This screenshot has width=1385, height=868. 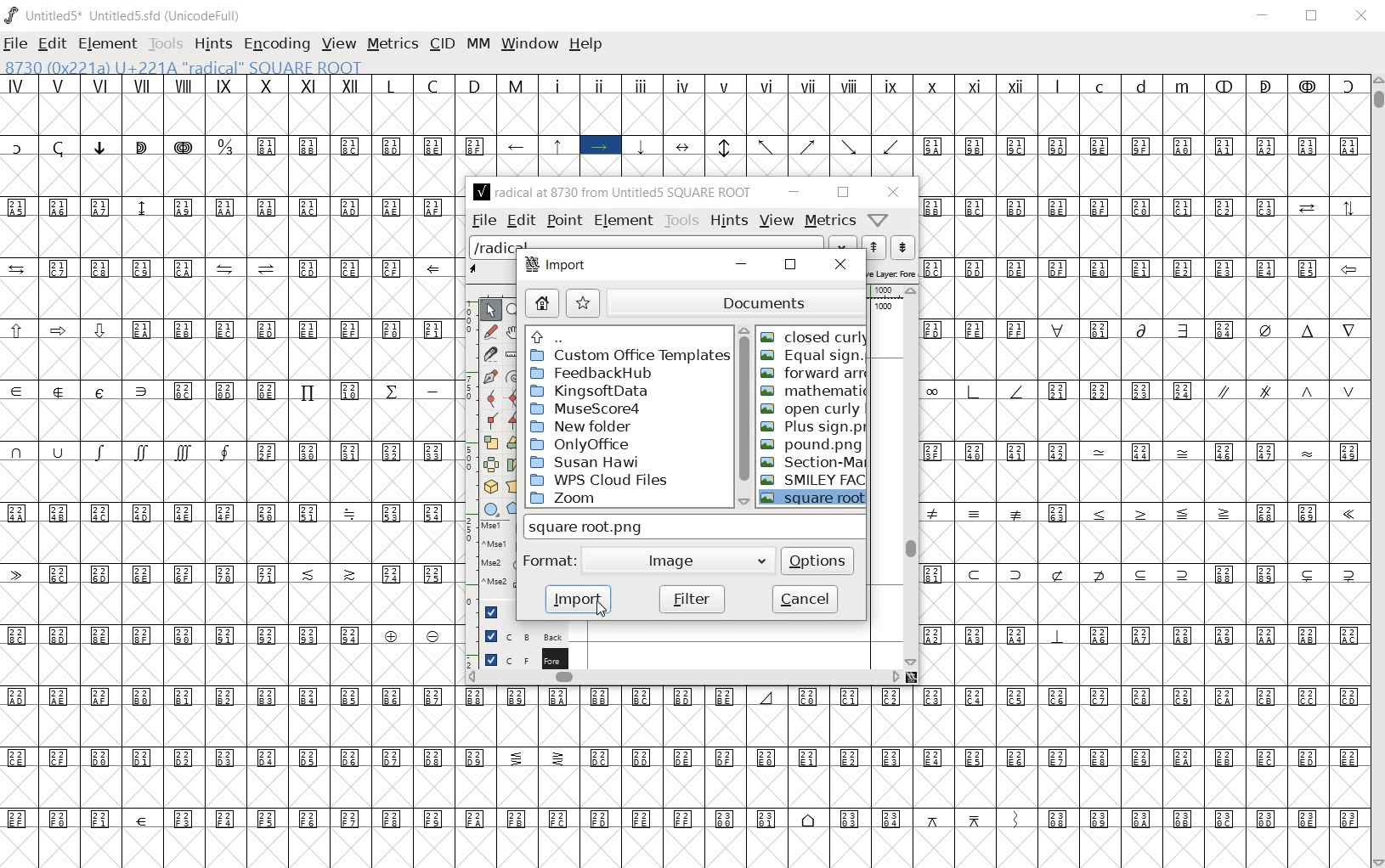 I want to click on filter, so click(x=693, y=598).